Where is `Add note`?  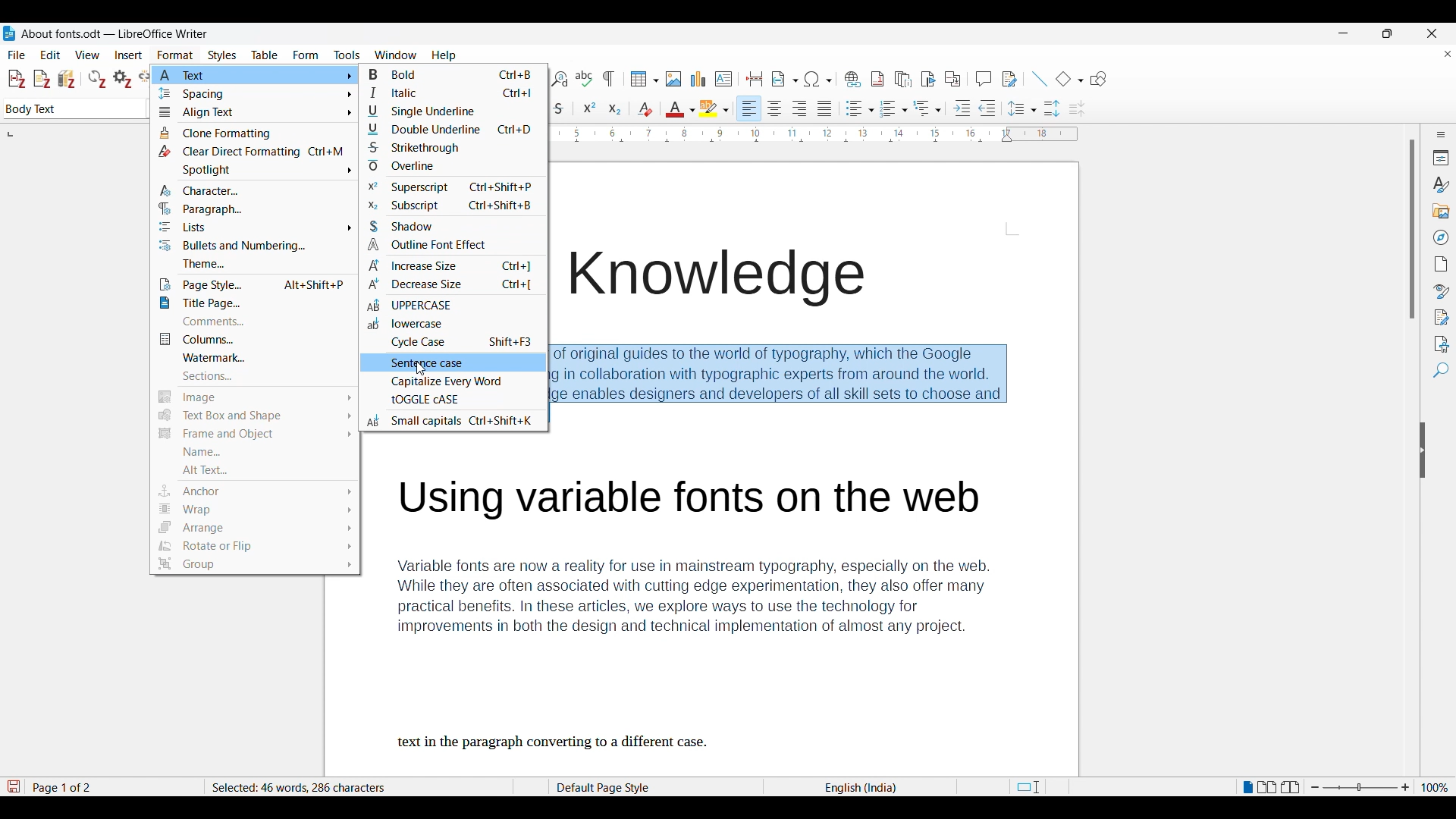
Add note is located at coordinates (42, 80).